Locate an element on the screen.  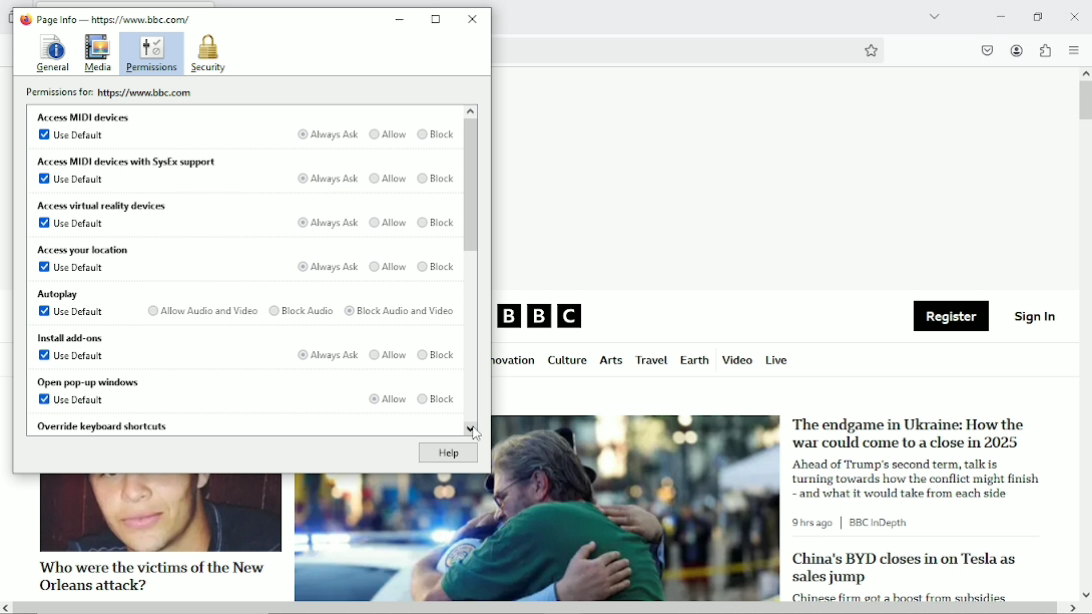
image is located at coordinates (537, 538).